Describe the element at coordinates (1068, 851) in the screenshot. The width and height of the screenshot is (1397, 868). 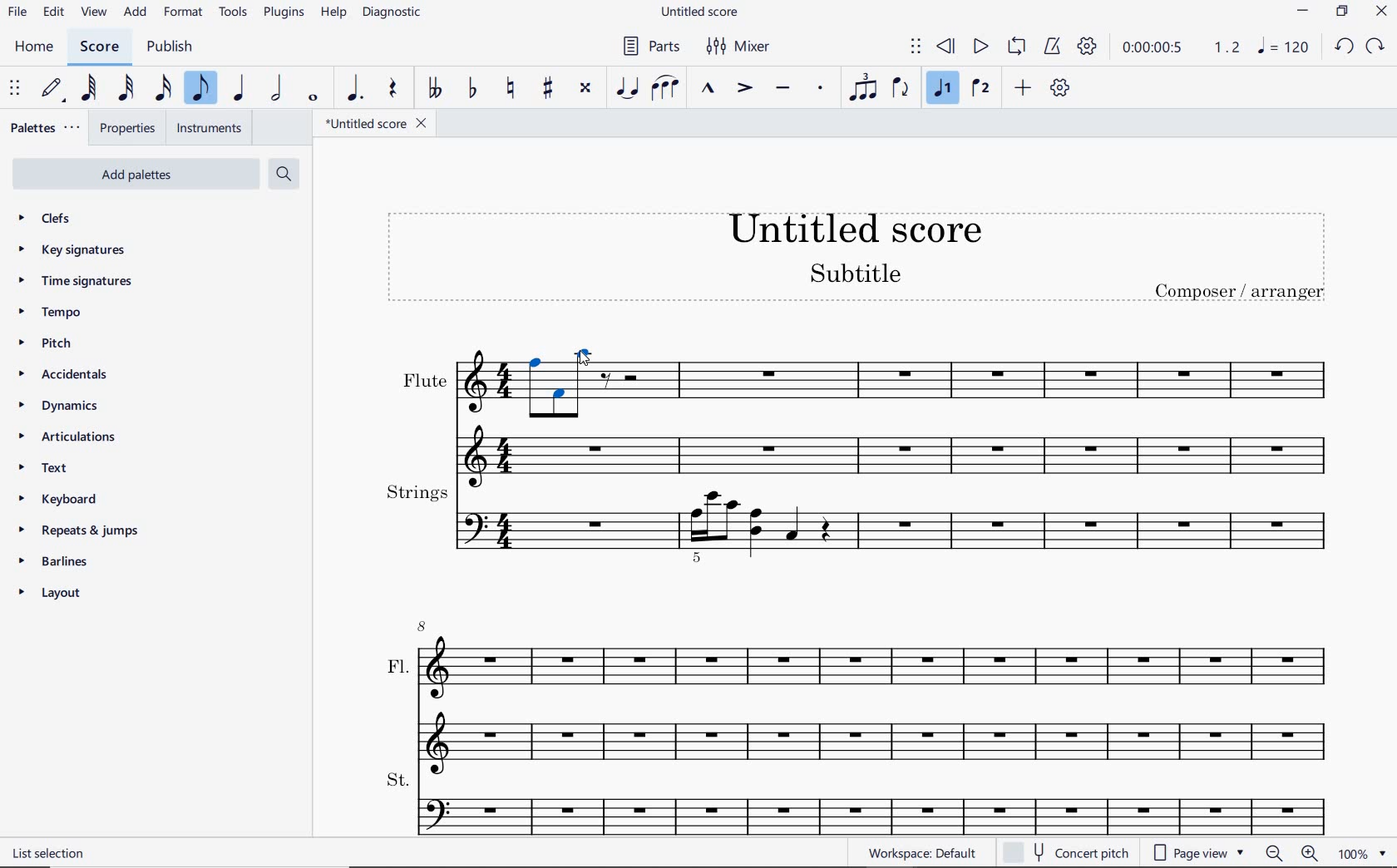
I see `concert pitch` at that location.